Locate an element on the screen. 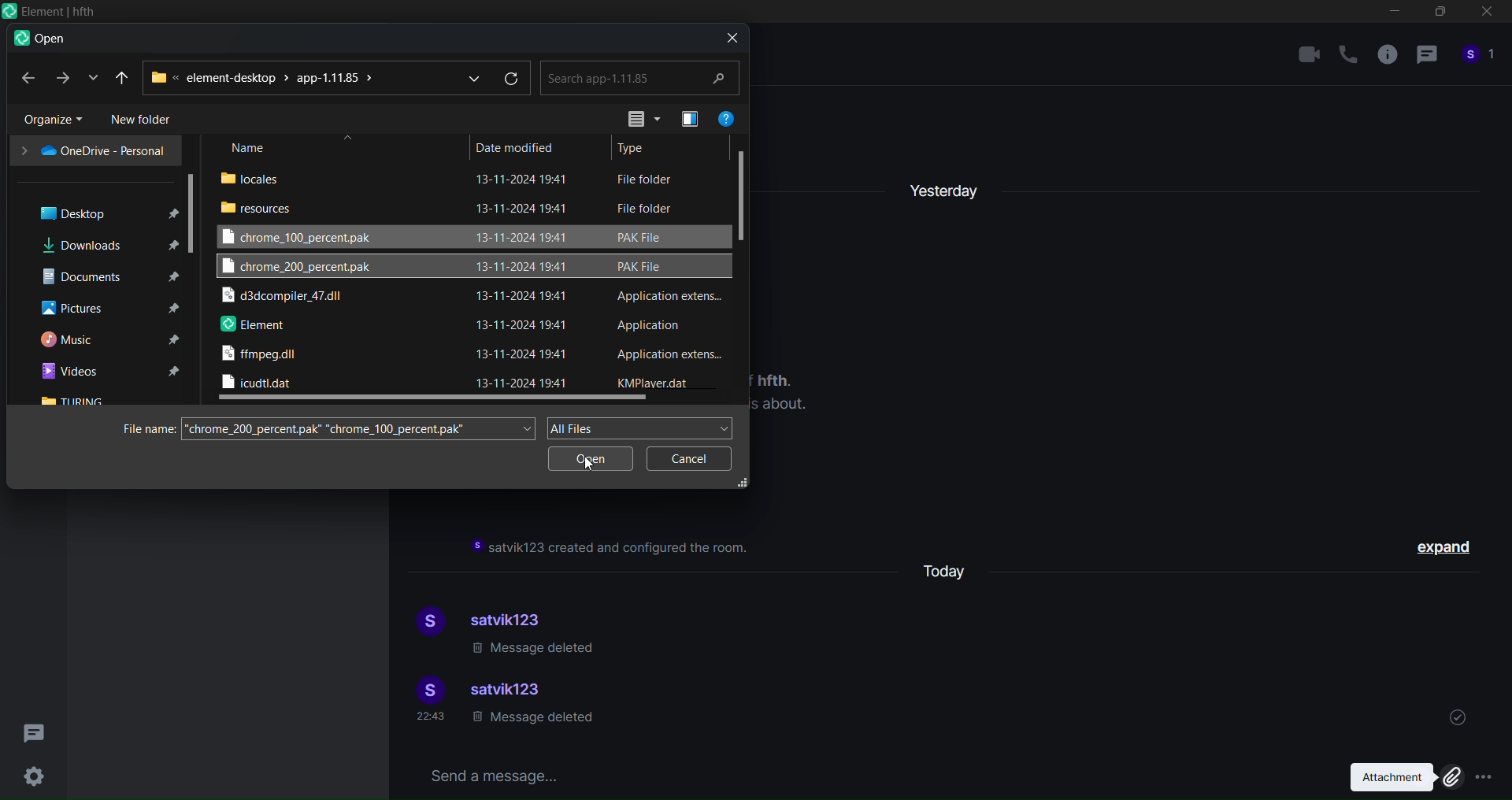 The height and width of the screenshot is (800, 1512). recent is located at coordinates (124, 76).